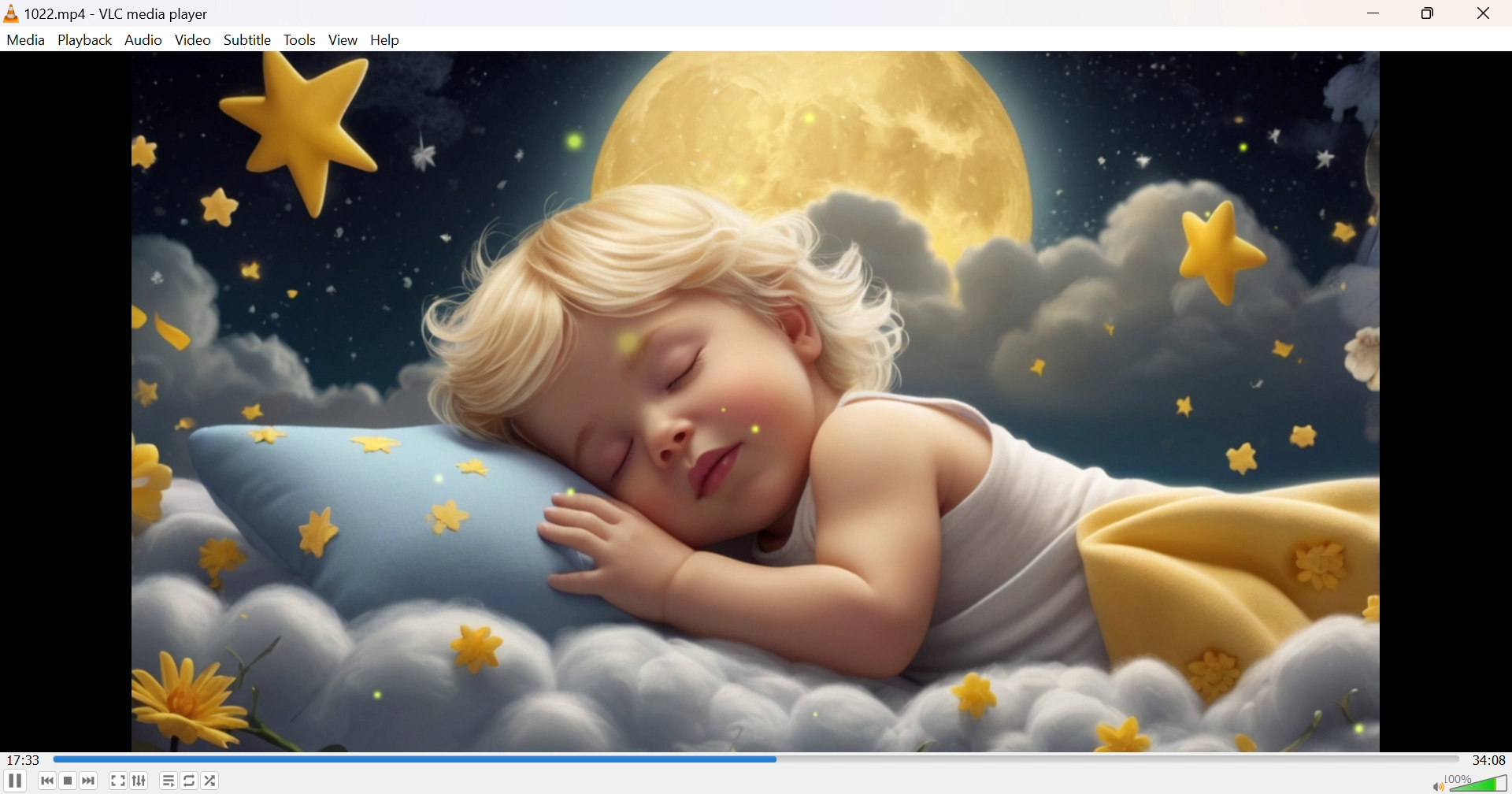 The image size is (1512, 794). What do you see at coordinates (1375, 15) in the screenshot?
I see `Minimize` at bounding box center [1375, 15].